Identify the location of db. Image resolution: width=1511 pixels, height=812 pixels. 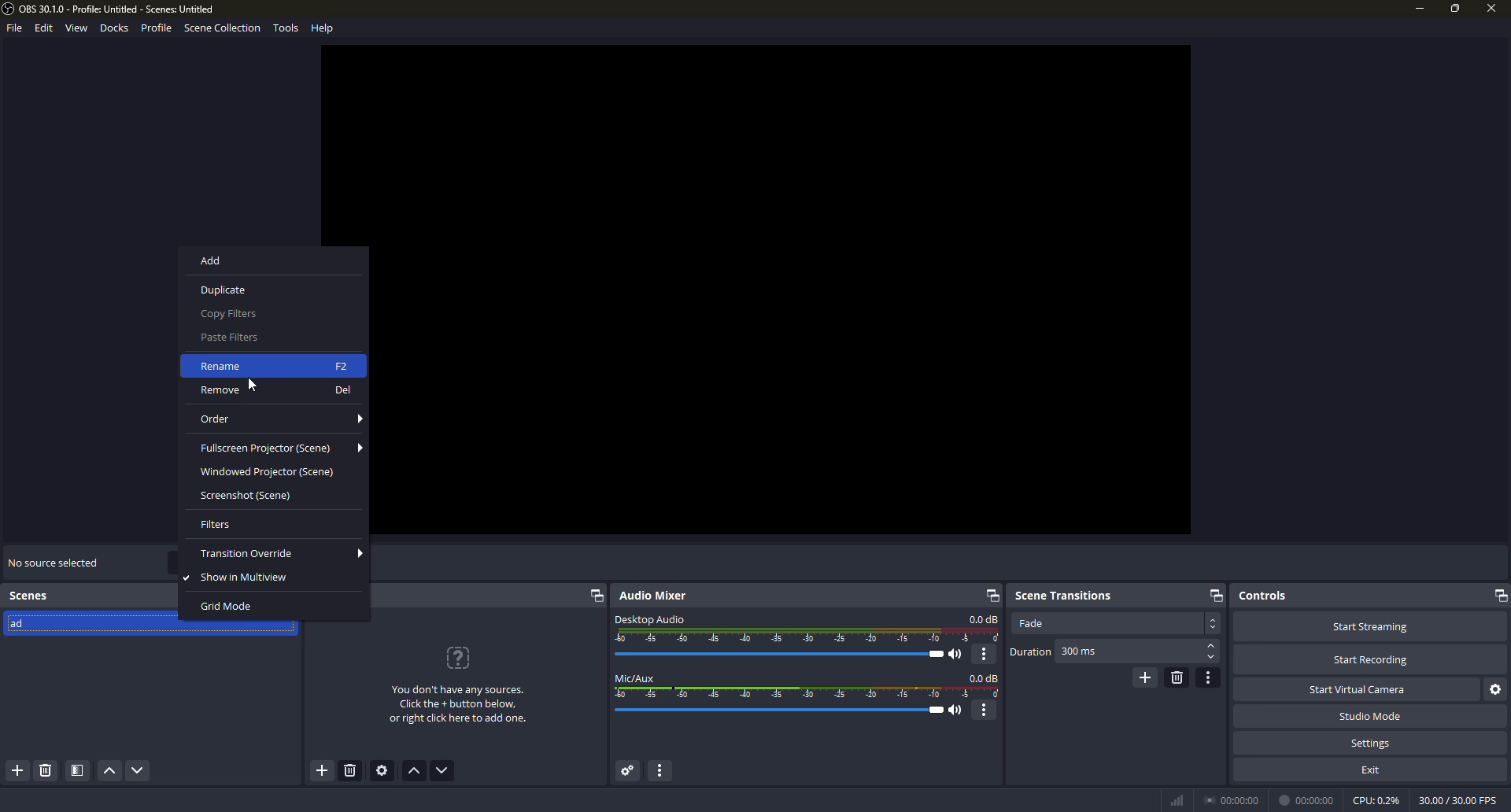
(985, 677).